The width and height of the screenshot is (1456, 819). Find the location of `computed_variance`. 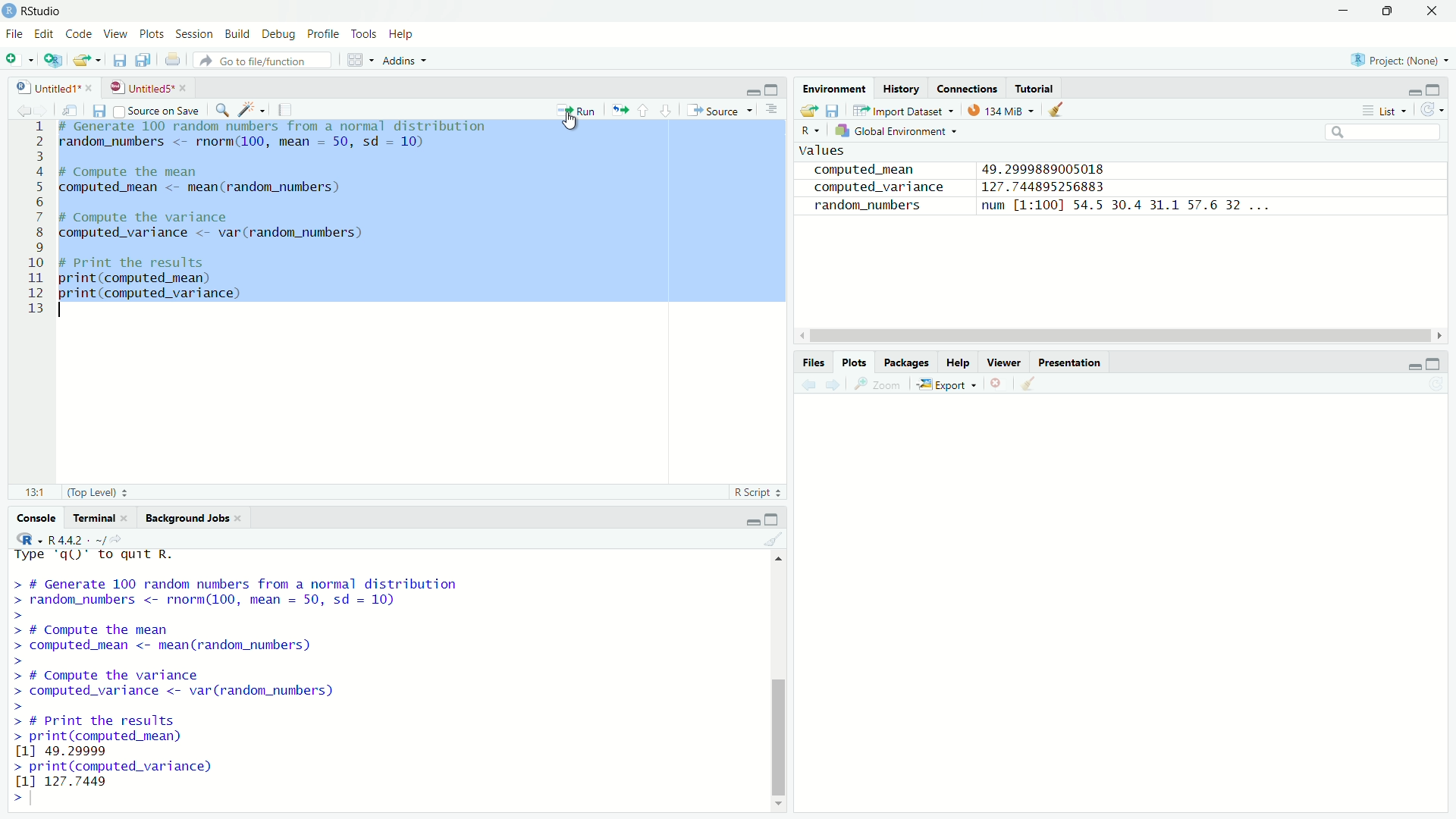

computed_variance is located at coordinates (877, 188).